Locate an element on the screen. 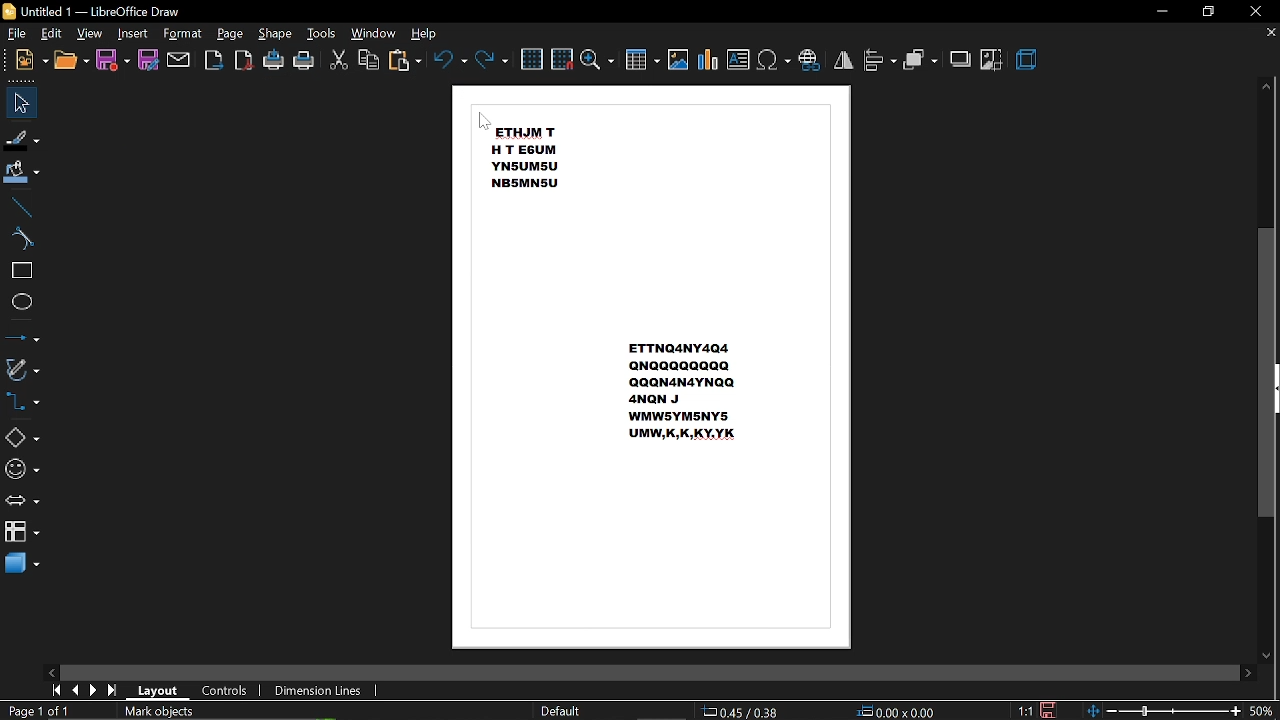 The height and width of the screenshot is (720, 1280). fill line is located at coordinates (23, 138).